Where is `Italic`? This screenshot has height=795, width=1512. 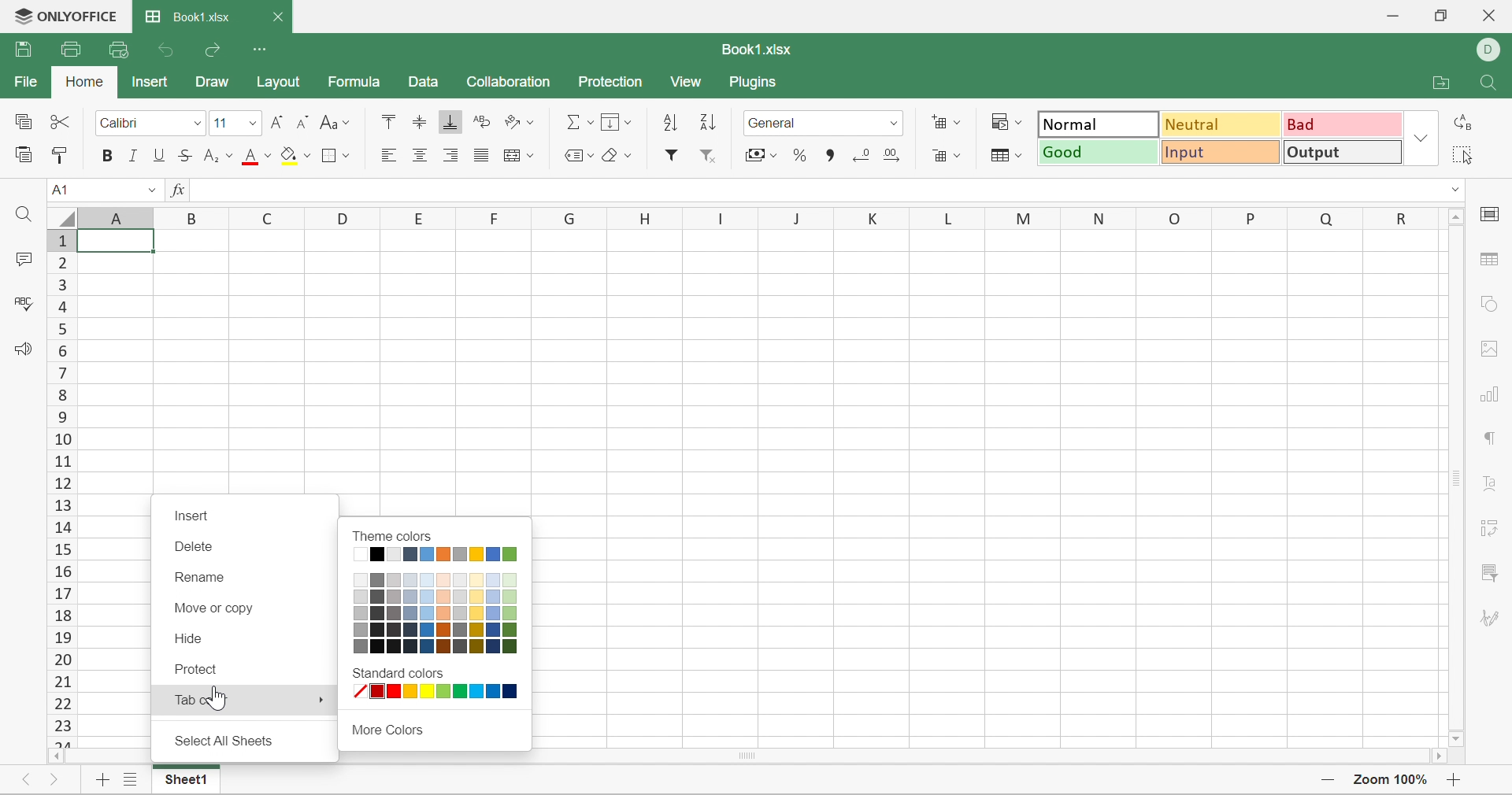
Italic is located at coordinates (135, 157).